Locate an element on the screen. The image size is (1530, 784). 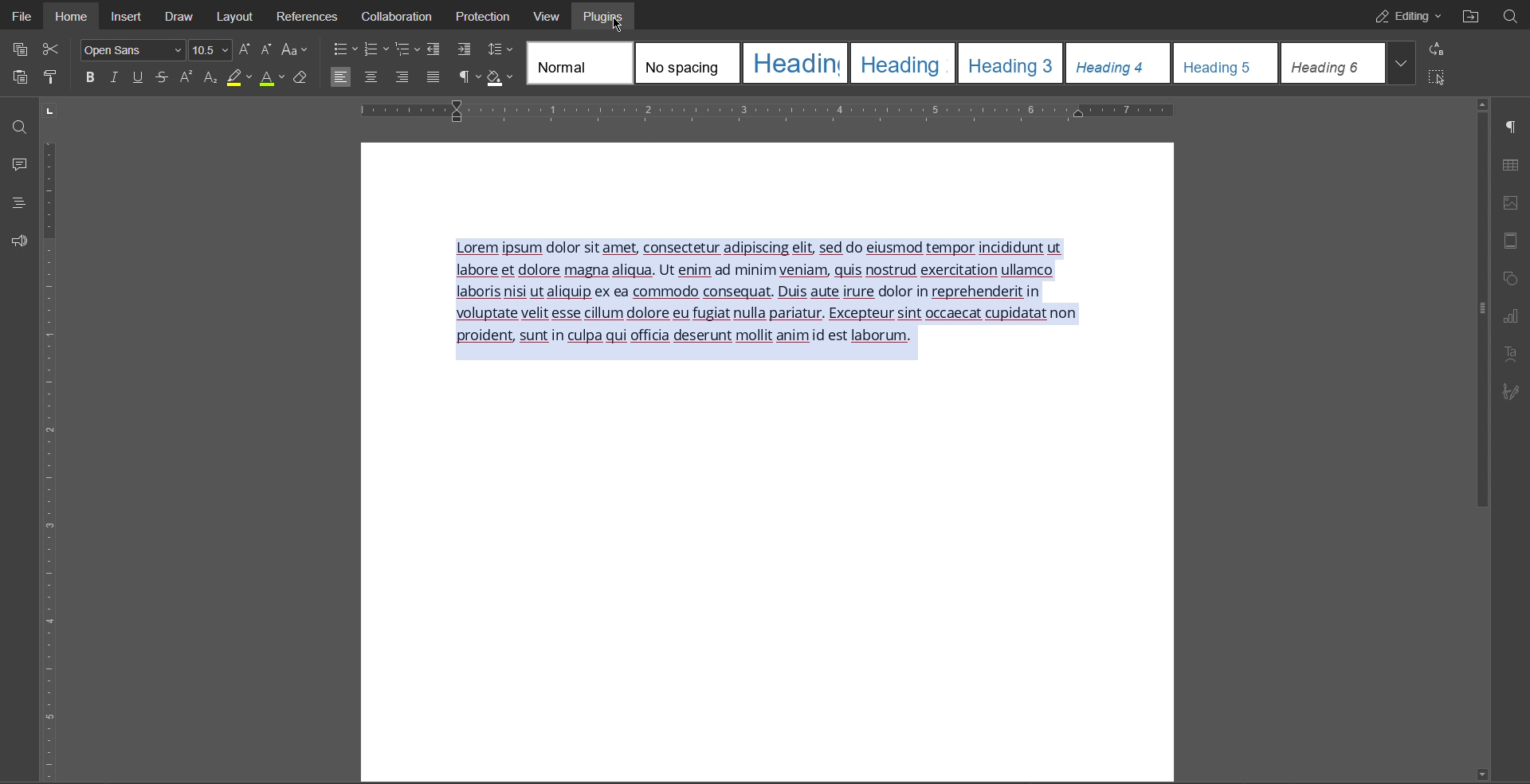
Comment is located at coordinates (15, 160).